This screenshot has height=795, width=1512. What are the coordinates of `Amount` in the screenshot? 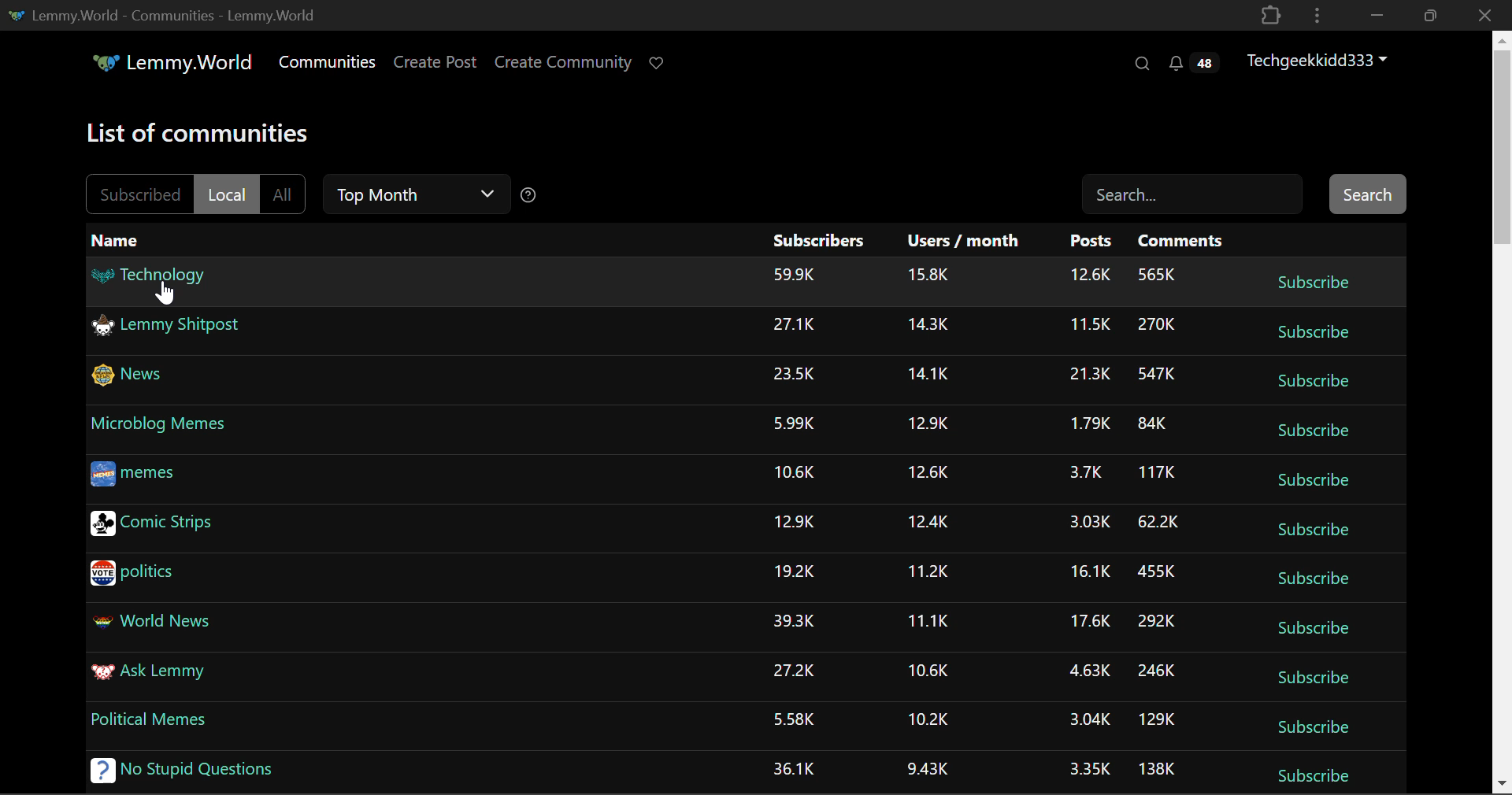 It's located at (928, 668).